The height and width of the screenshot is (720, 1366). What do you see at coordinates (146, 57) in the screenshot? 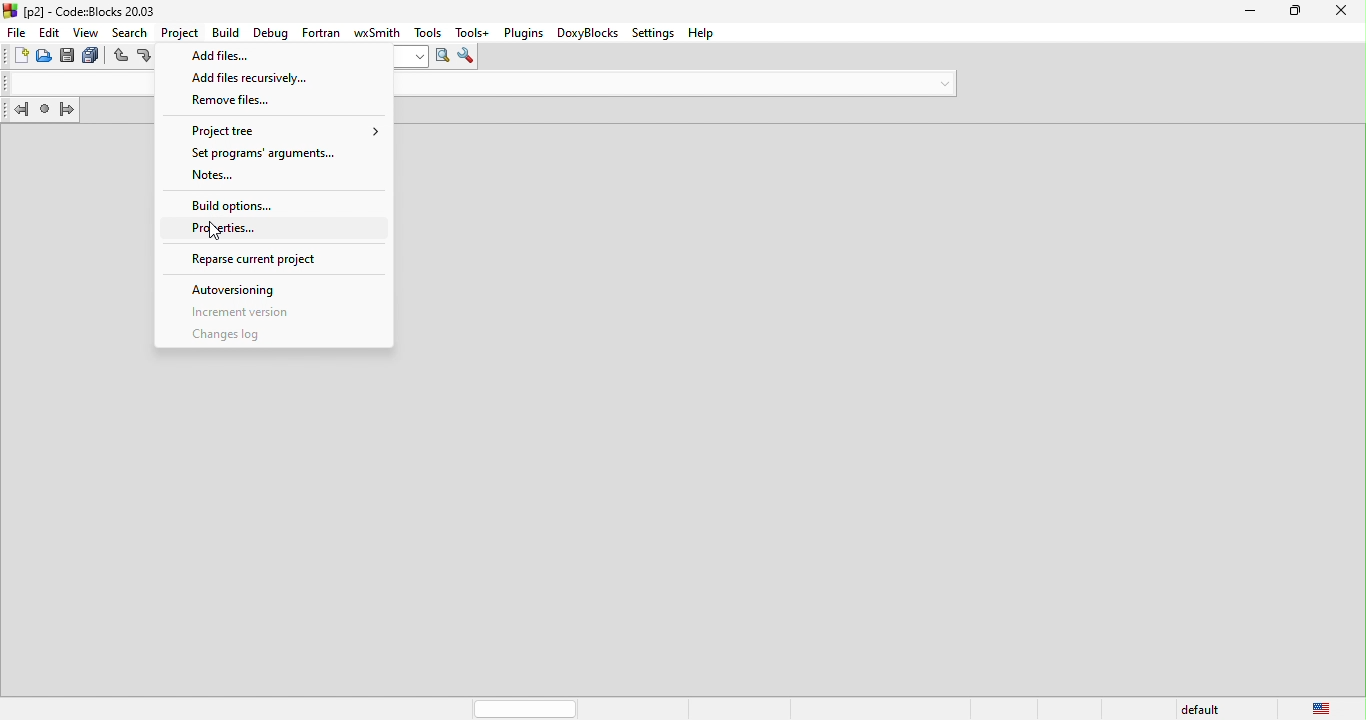
I see `redo` at bounding box center [146, 57].